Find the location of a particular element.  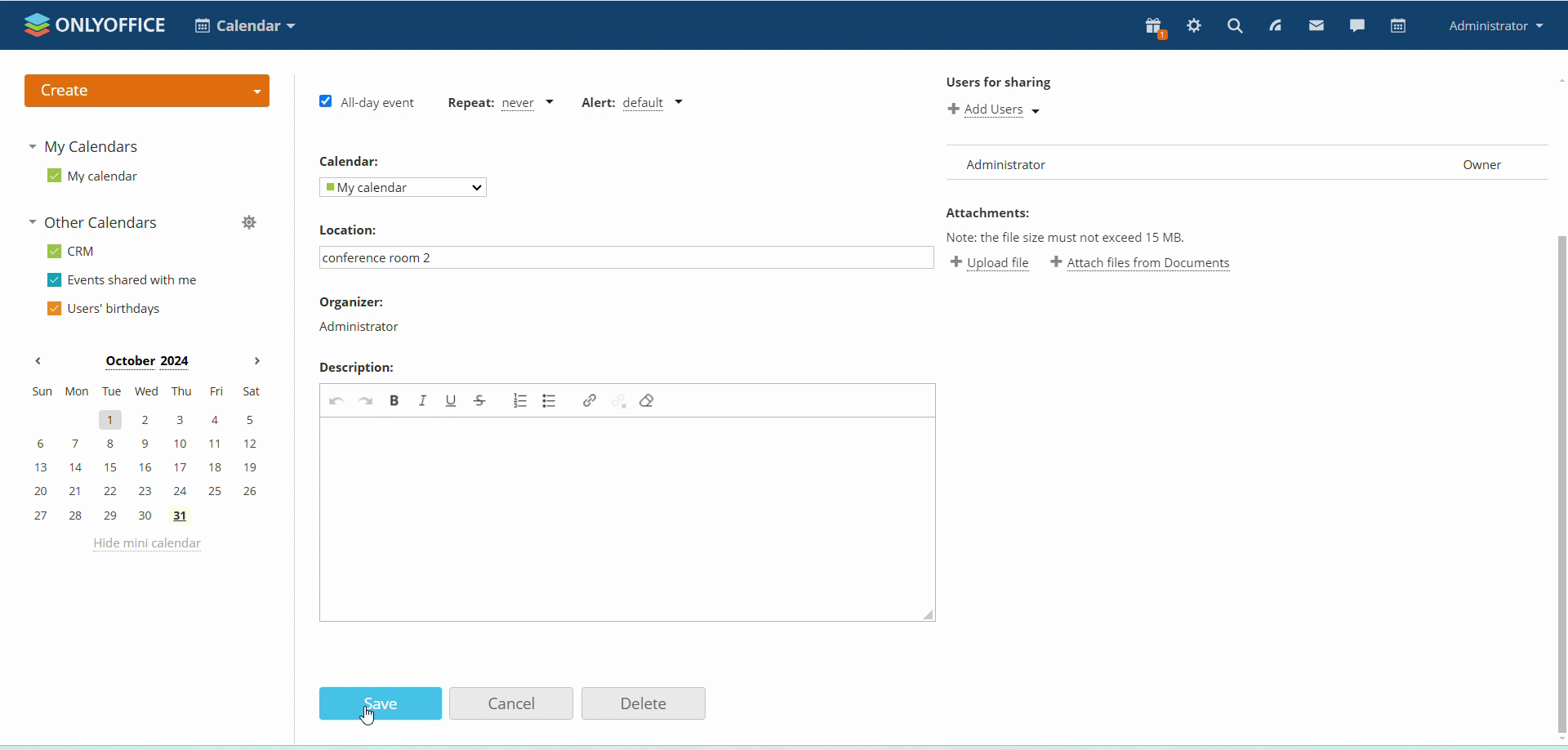

CRM is located at coordinates (73, 252).